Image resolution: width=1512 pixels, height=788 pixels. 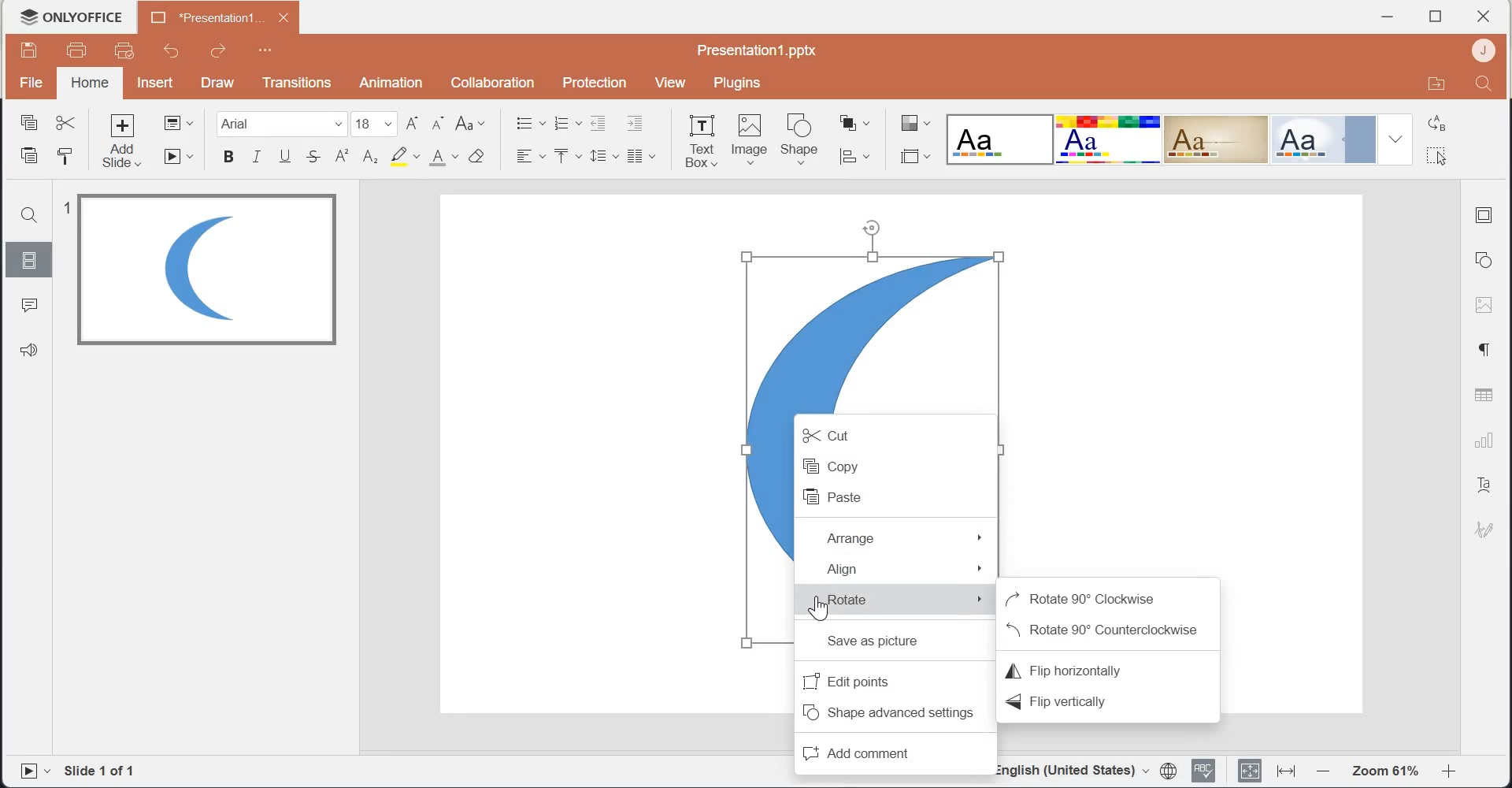 I want to click on Fit to slide, so click(x=1248, y=772).